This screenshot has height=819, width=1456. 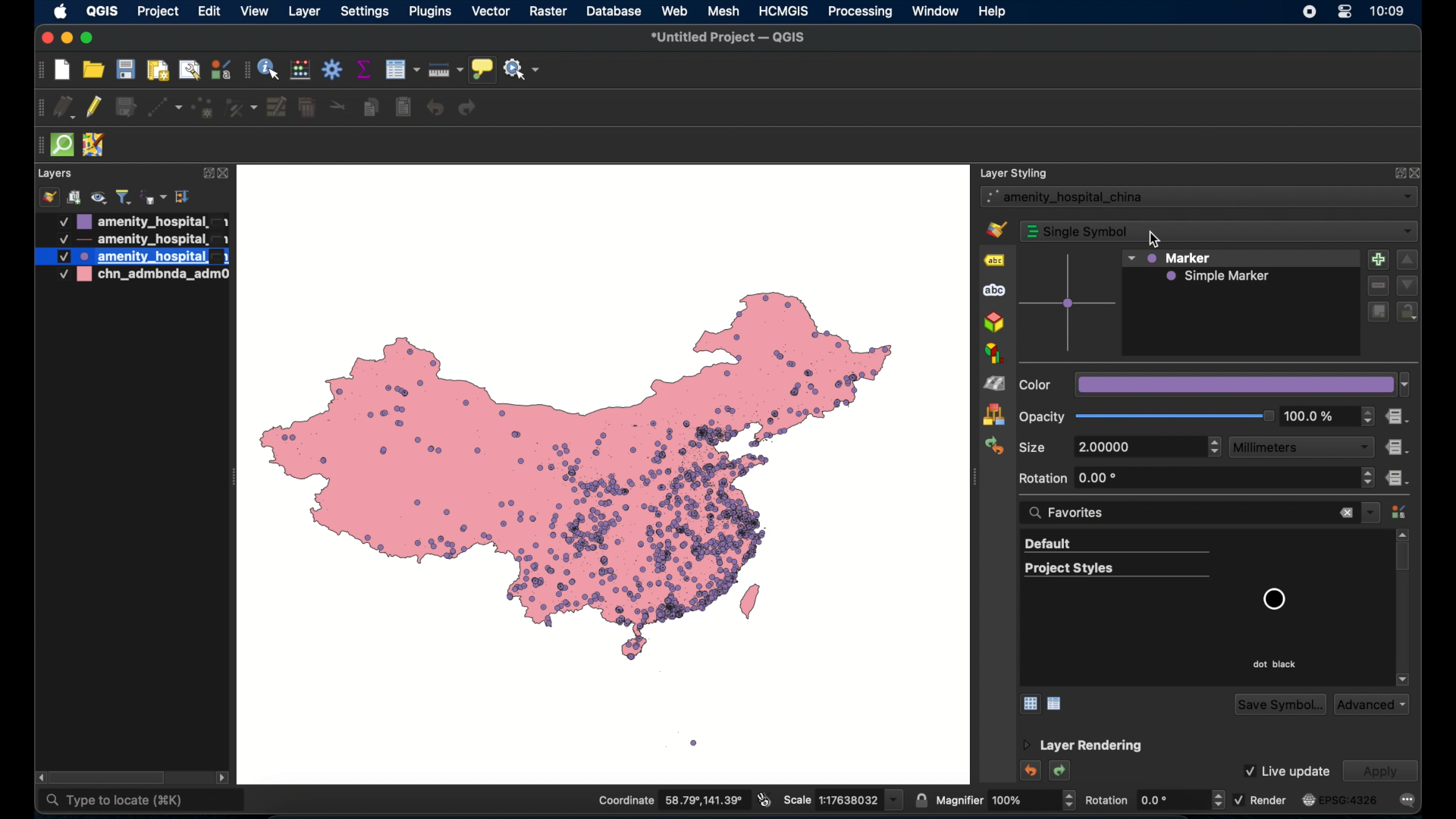 What do you see at coordinates (45, 39) in the screenshot?
I see `close` at bounding box center [45, 39].